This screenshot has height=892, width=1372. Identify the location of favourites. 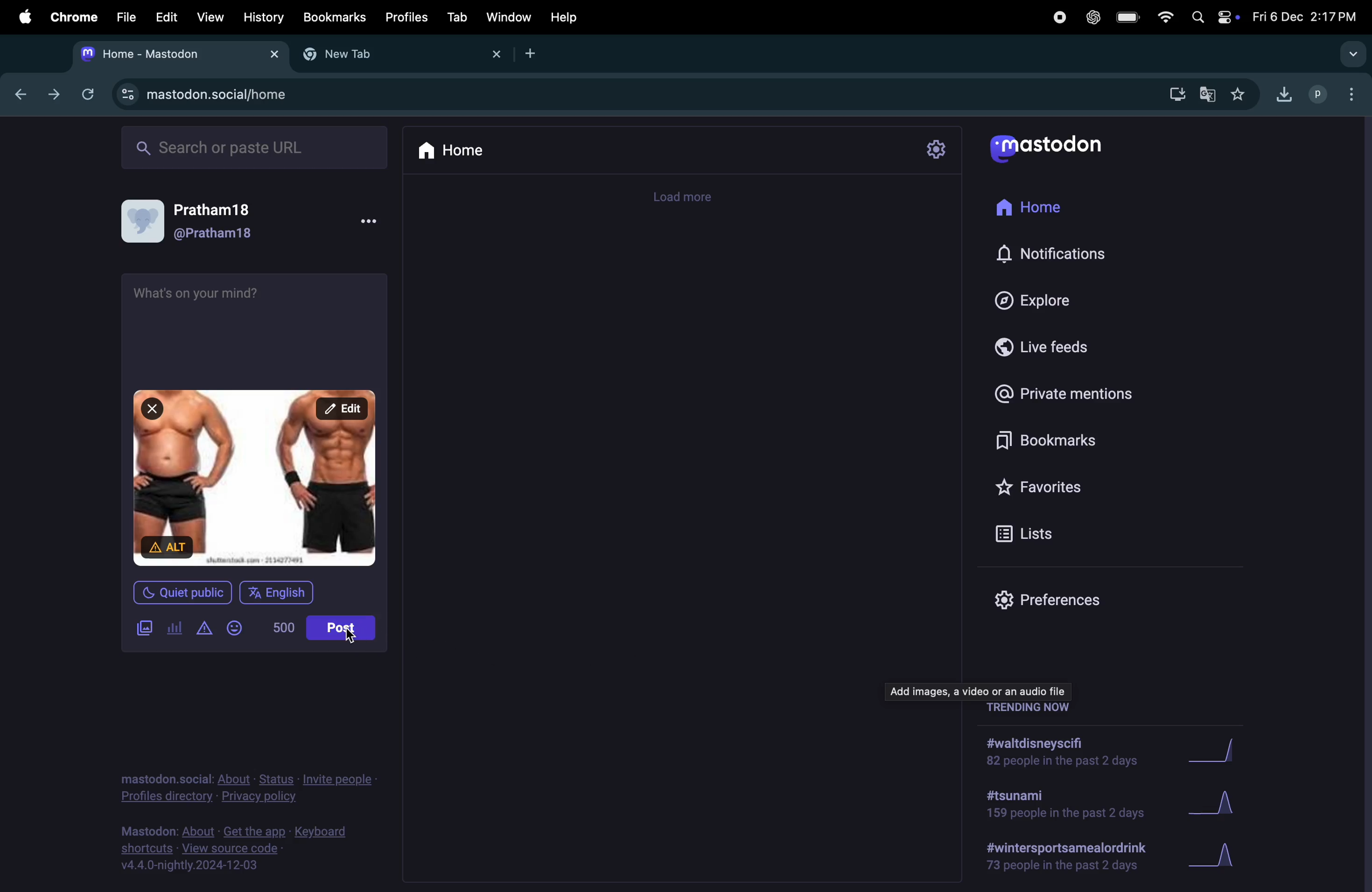
(1241, 93).